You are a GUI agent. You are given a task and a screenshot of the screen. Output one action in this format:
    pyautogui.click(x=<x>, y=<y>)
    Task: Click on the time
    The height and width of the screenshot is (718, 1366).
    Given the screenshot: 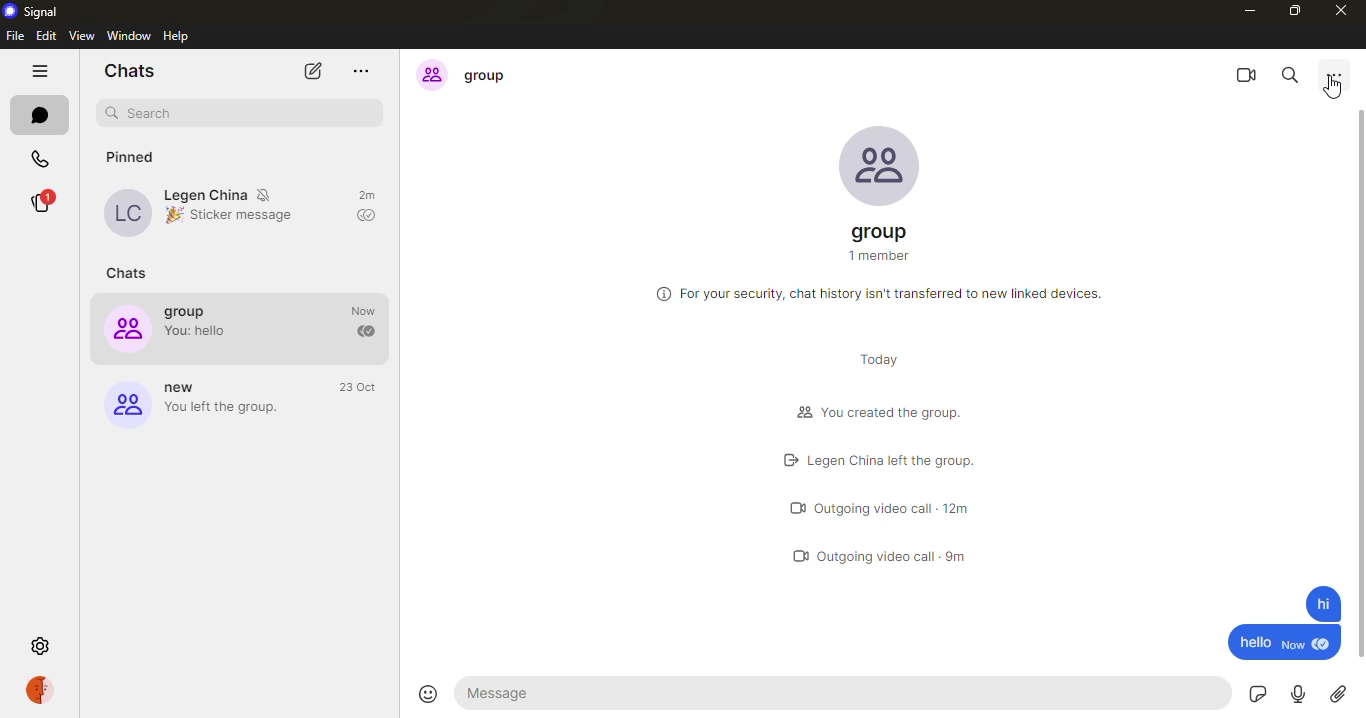 What is the action you would take?
    pyautogui.click(x=359, y=388)
    